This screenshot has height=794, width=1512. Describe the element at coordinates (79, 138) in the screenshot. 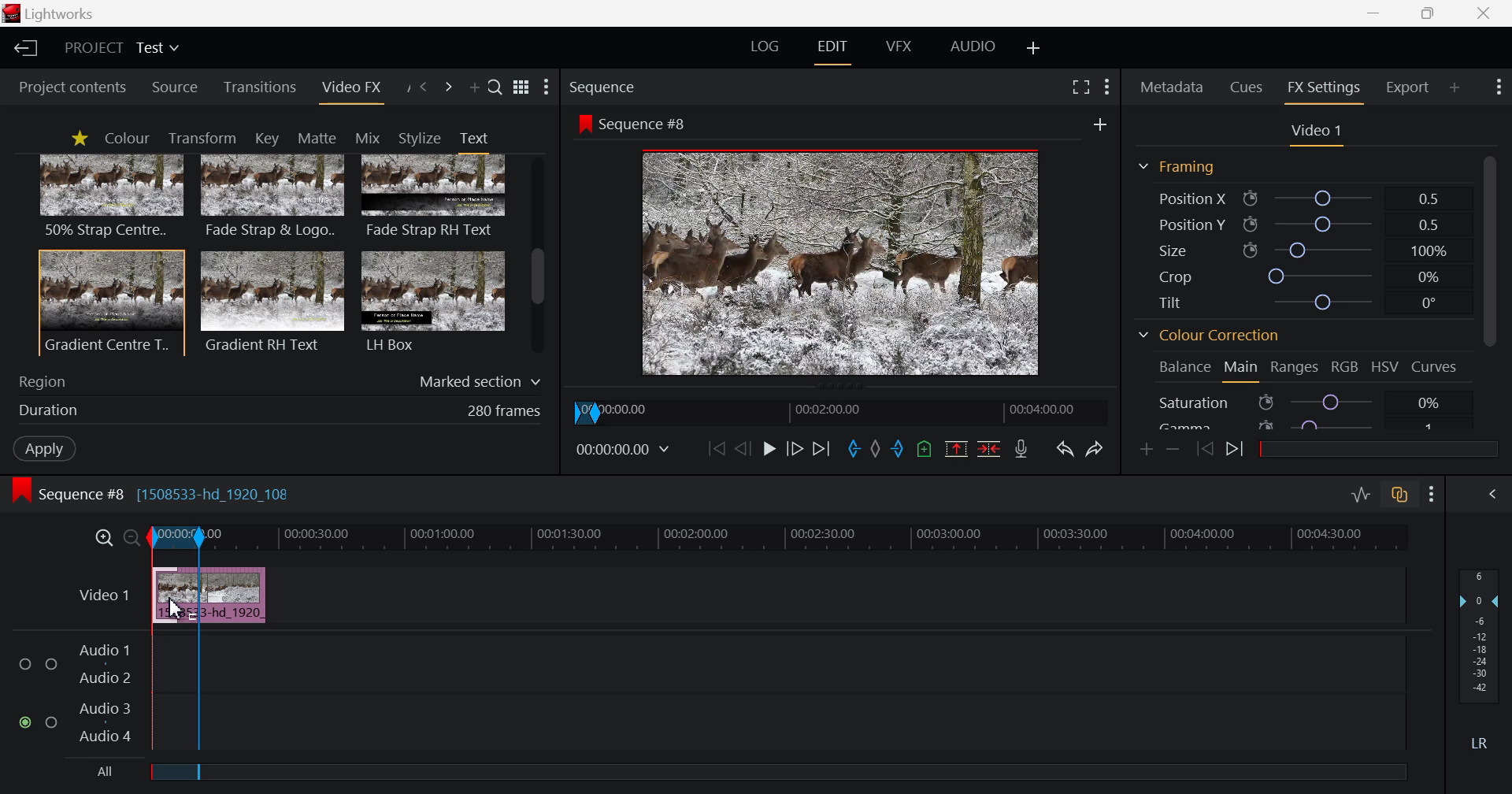

I see `Favorites` at that location.